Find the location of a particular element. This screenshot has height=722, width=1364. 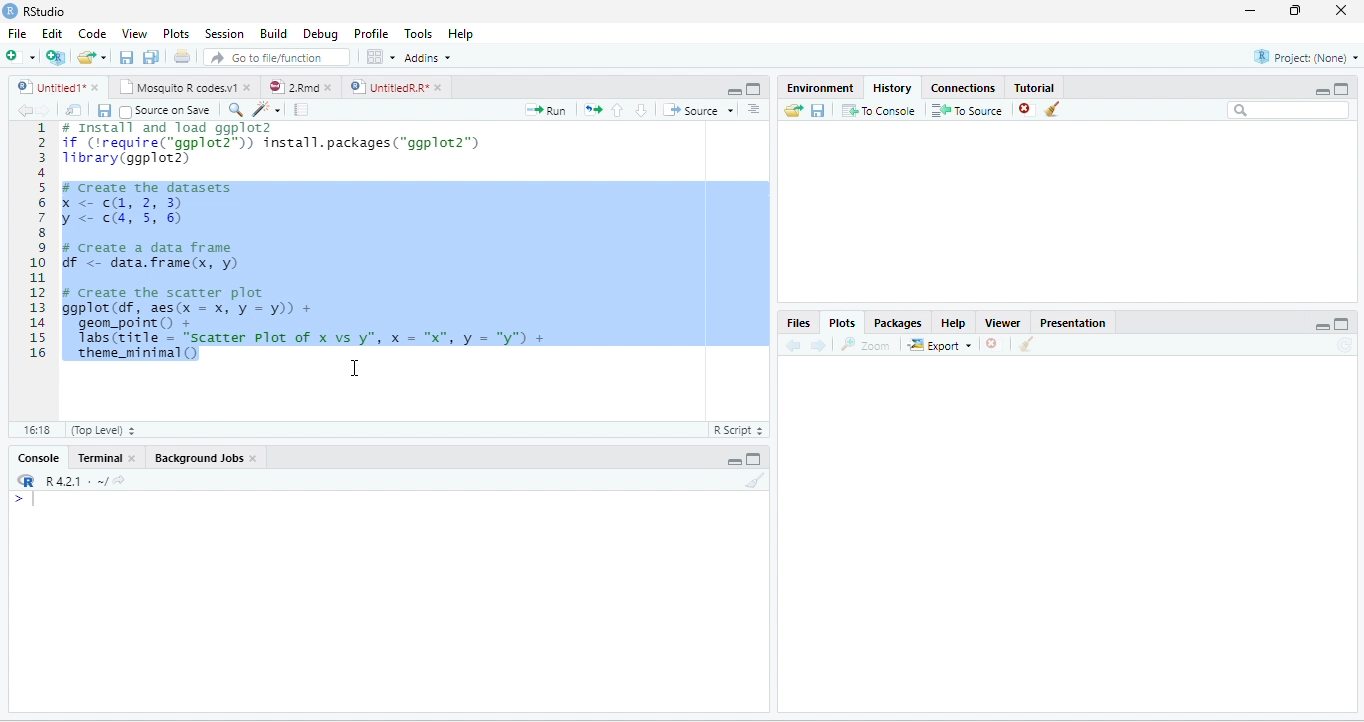

close is located at coordinates (254, 459).